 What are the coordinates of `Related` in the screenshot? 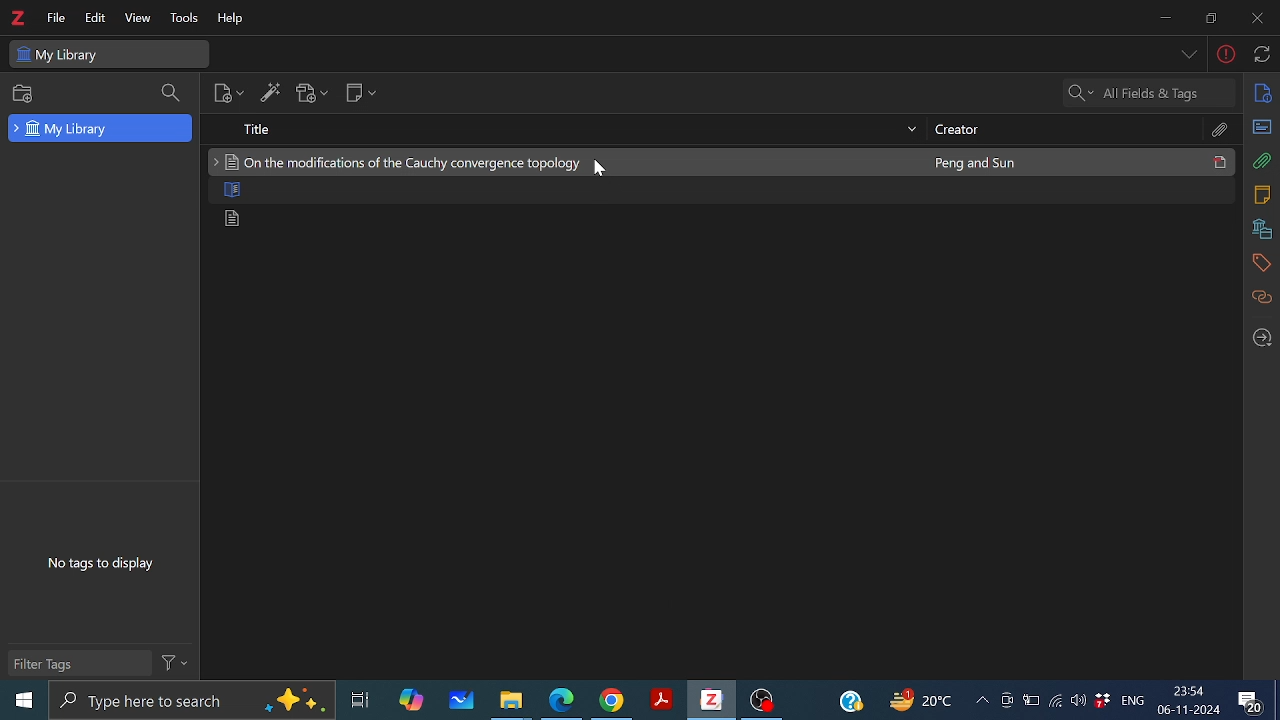 It's located at (1263, 296).